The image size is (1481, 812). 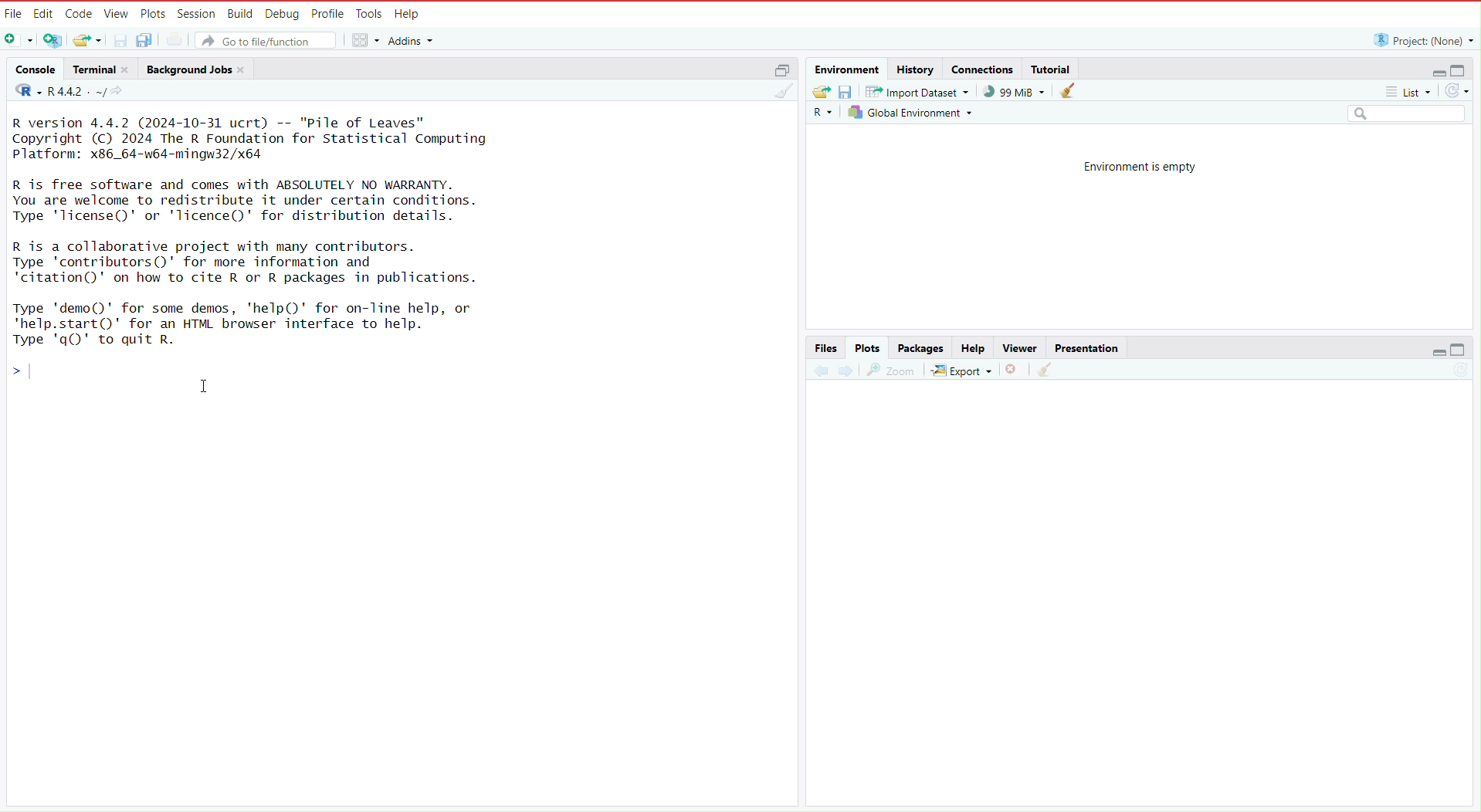 What do you see at coordinates (129, 69) in the screenshot?
I see `close` at bounding box center [129, 69].